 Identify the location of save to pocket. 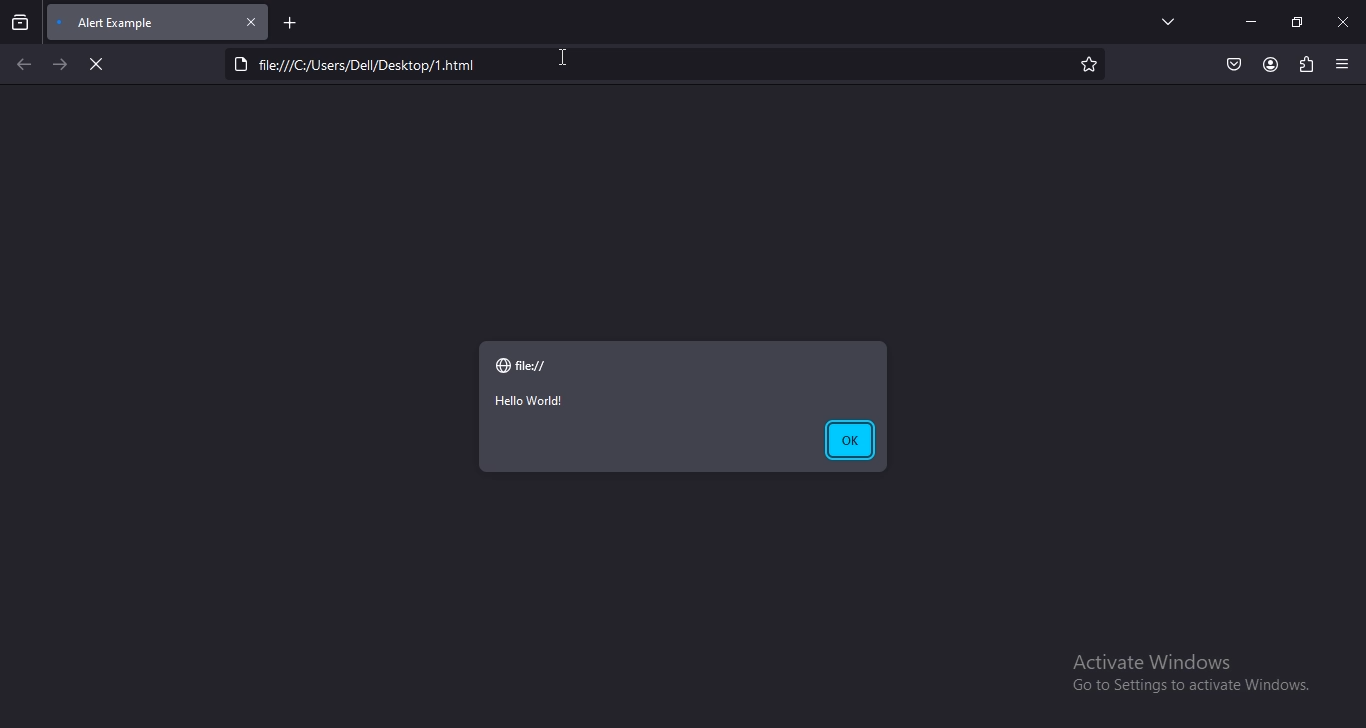
(1234, 65).